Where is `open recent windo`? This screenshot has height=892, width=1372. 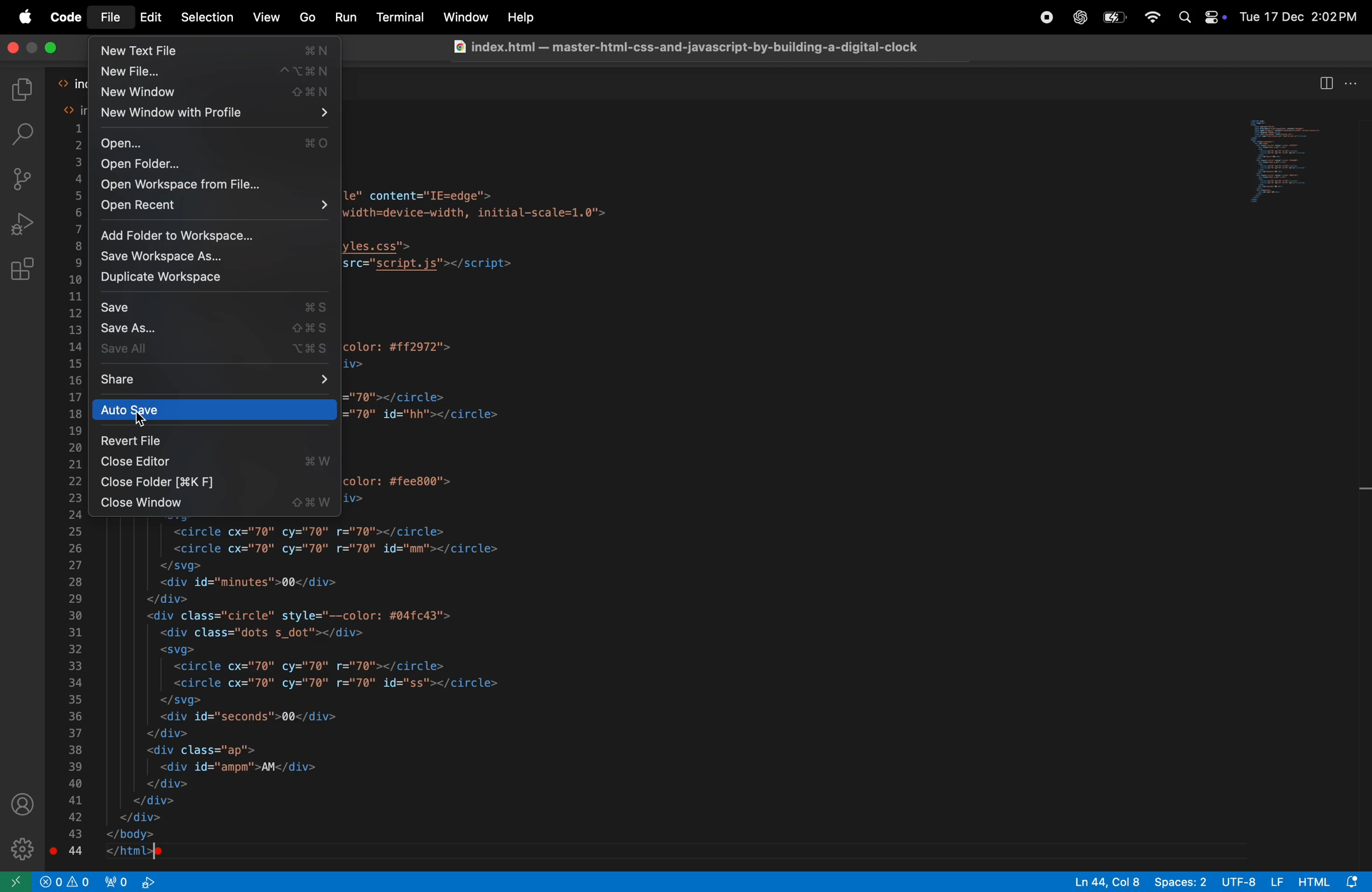 open recent windo is located at coordinates (211, 207).